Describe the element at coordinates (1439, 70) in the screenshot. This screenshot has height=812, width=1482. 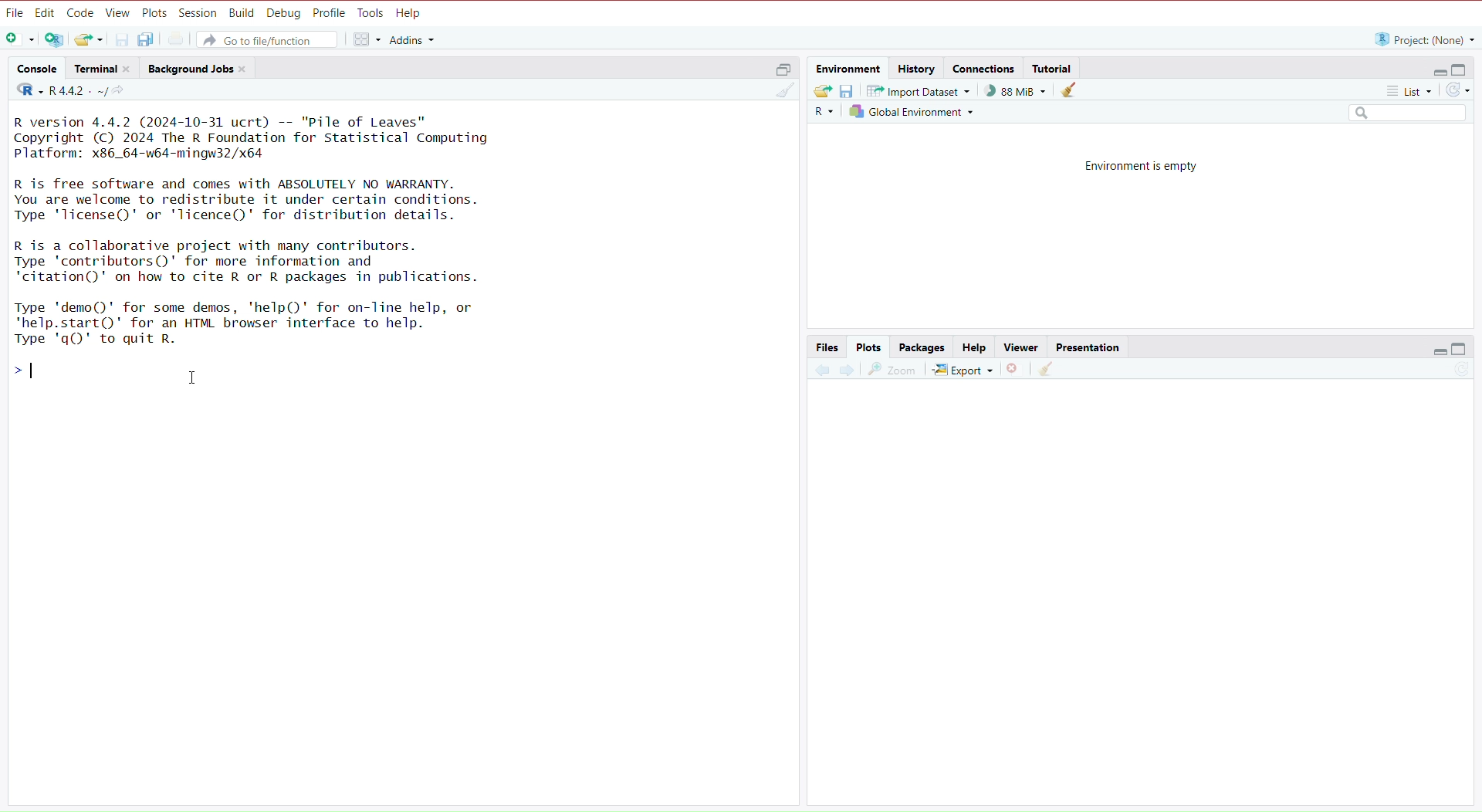
I see `Hide` at that location.